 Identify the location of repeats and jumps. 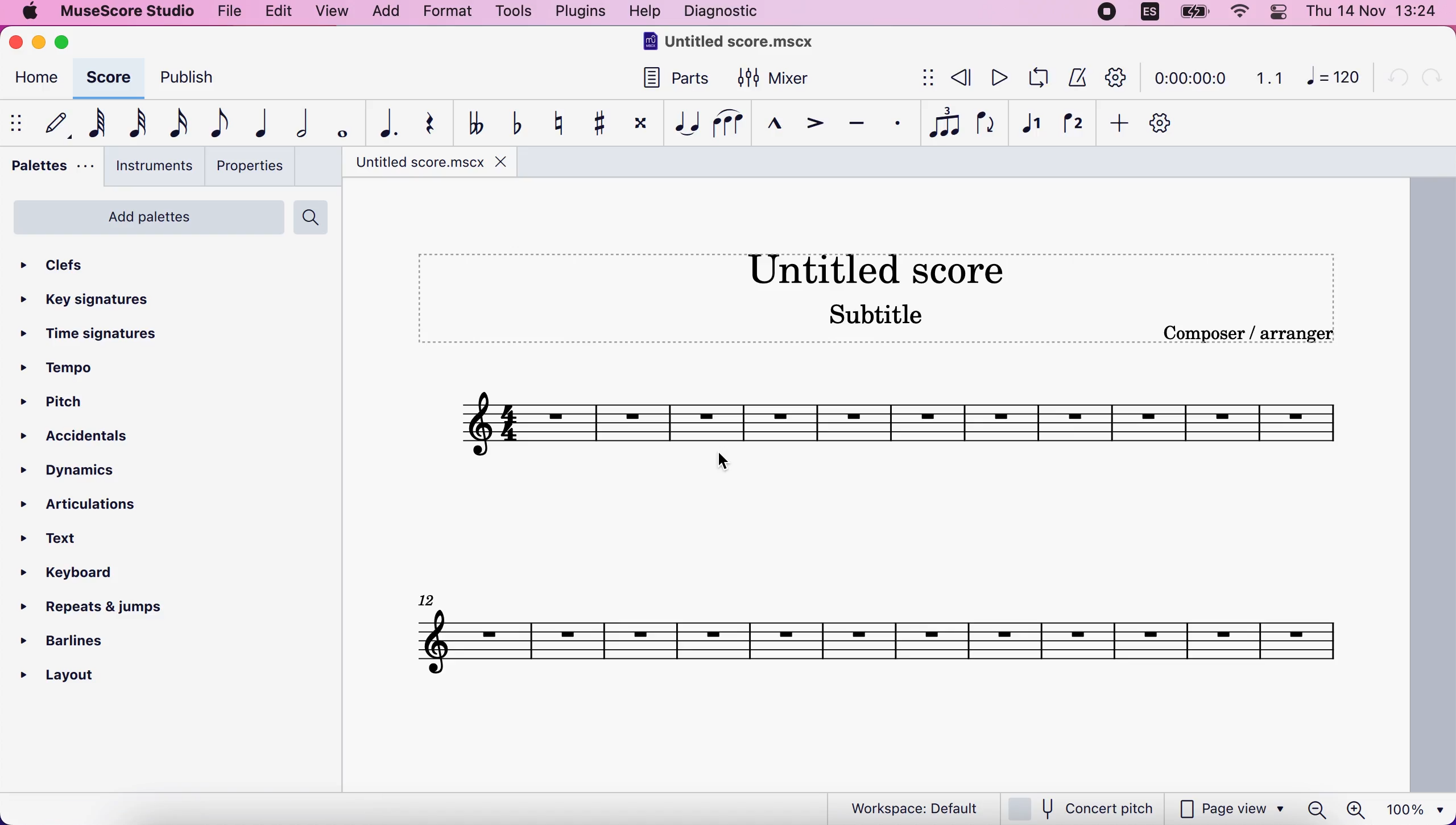
(102, 609).